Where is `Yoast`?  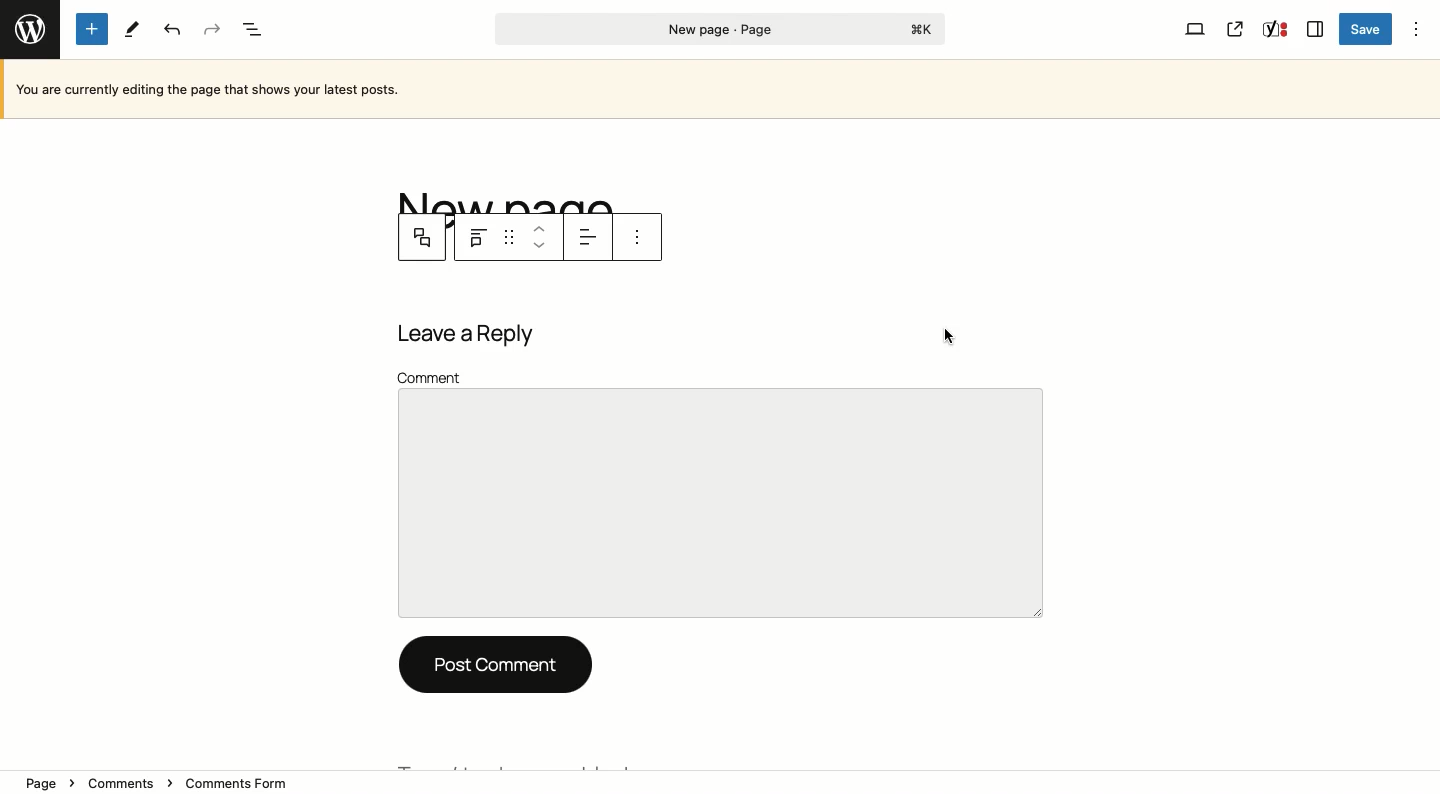 Yoast is located at coordinates (1276, 28).